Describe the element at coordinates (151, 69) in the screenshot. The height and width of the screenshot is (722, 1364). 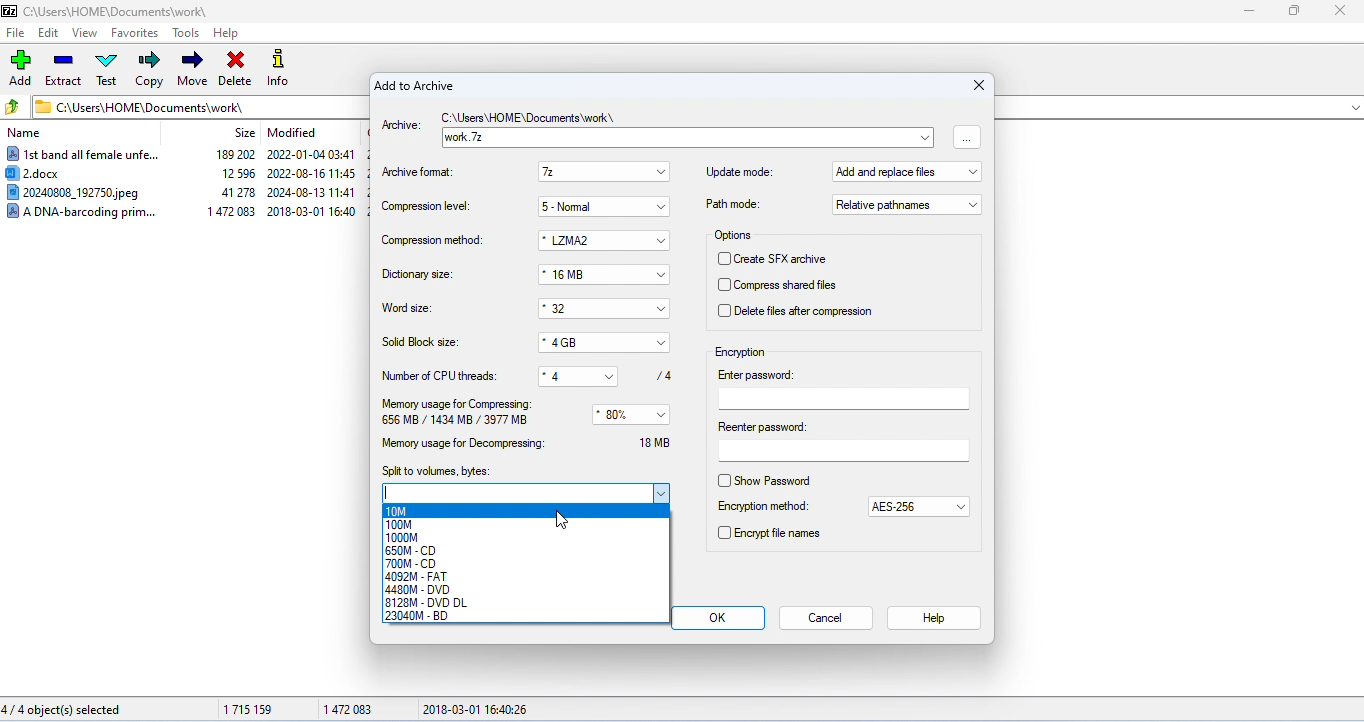
I see `copy` at that location.